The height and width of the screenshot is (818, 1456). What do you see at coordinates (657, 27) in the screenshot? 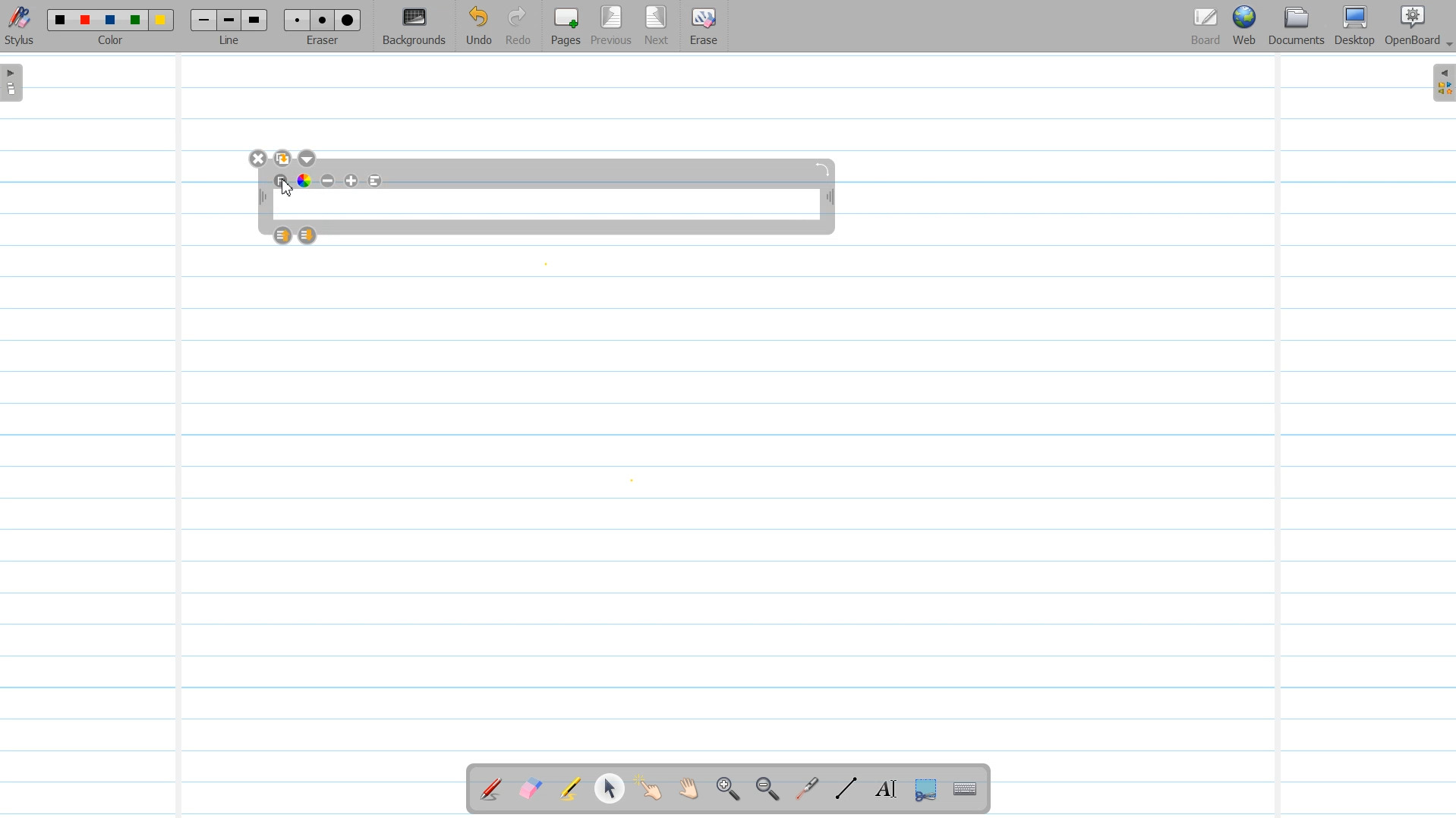
I see `Next` at bounding box center [657, 27].